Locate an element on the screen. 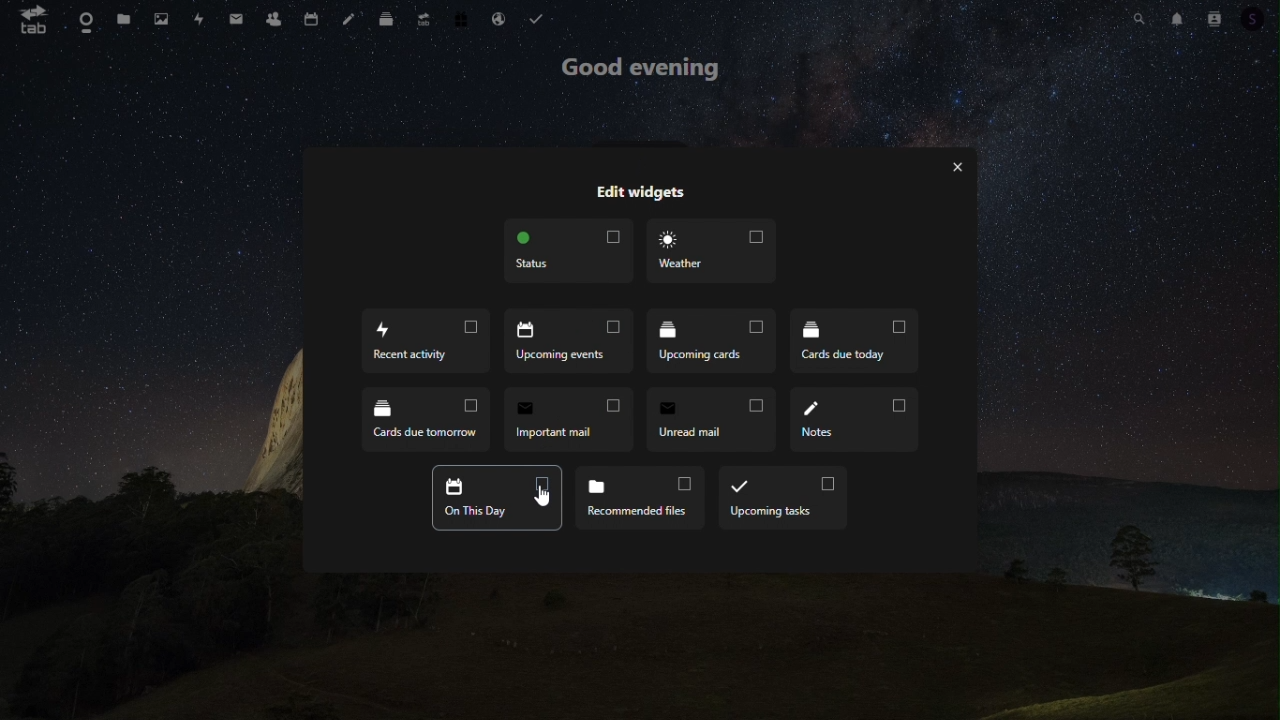 This screenshot has width=1280, height=720. Status is located at coordinates (571, 252).